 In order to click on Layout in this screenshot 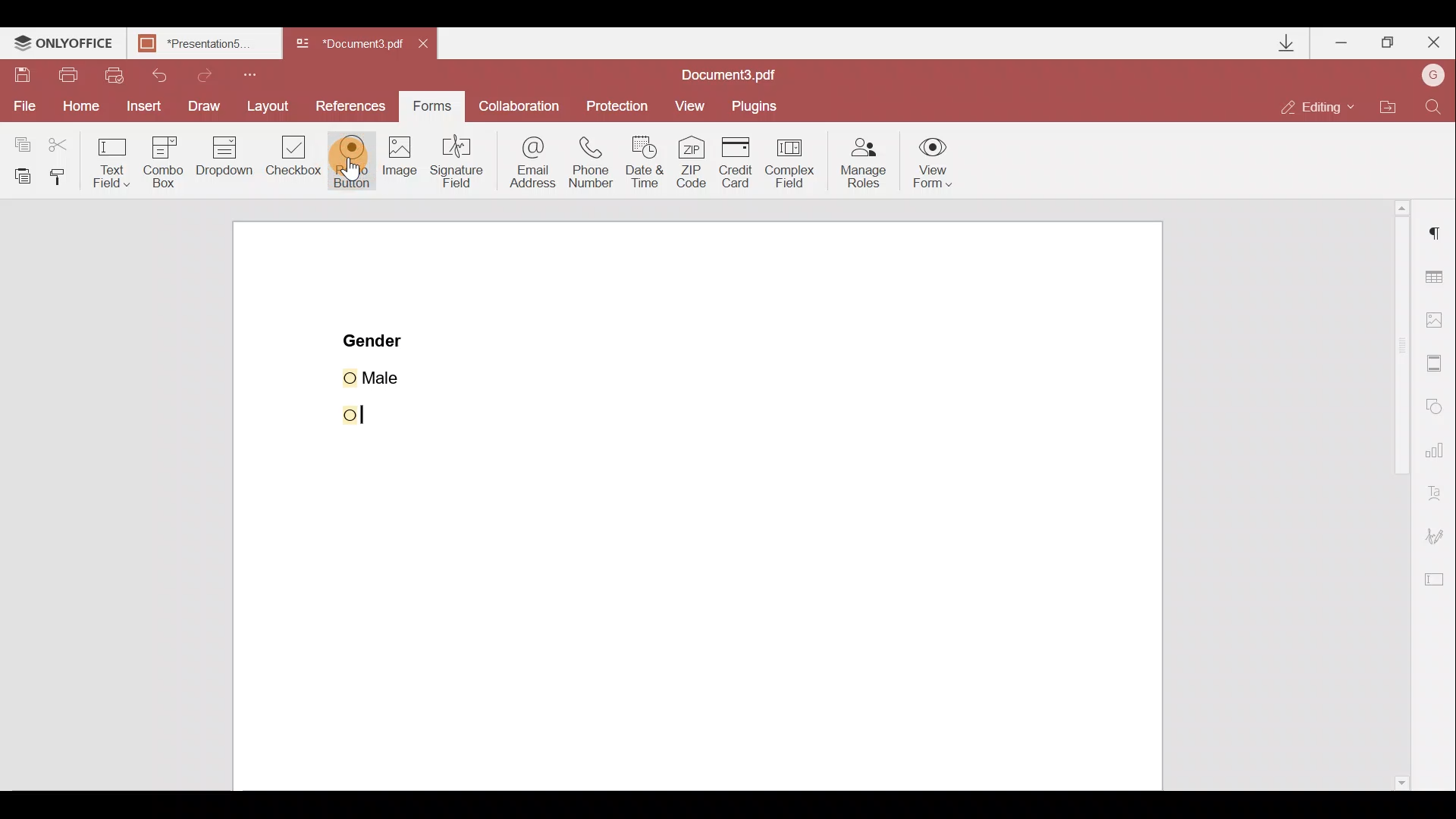, I will do `click(271, 108)`.